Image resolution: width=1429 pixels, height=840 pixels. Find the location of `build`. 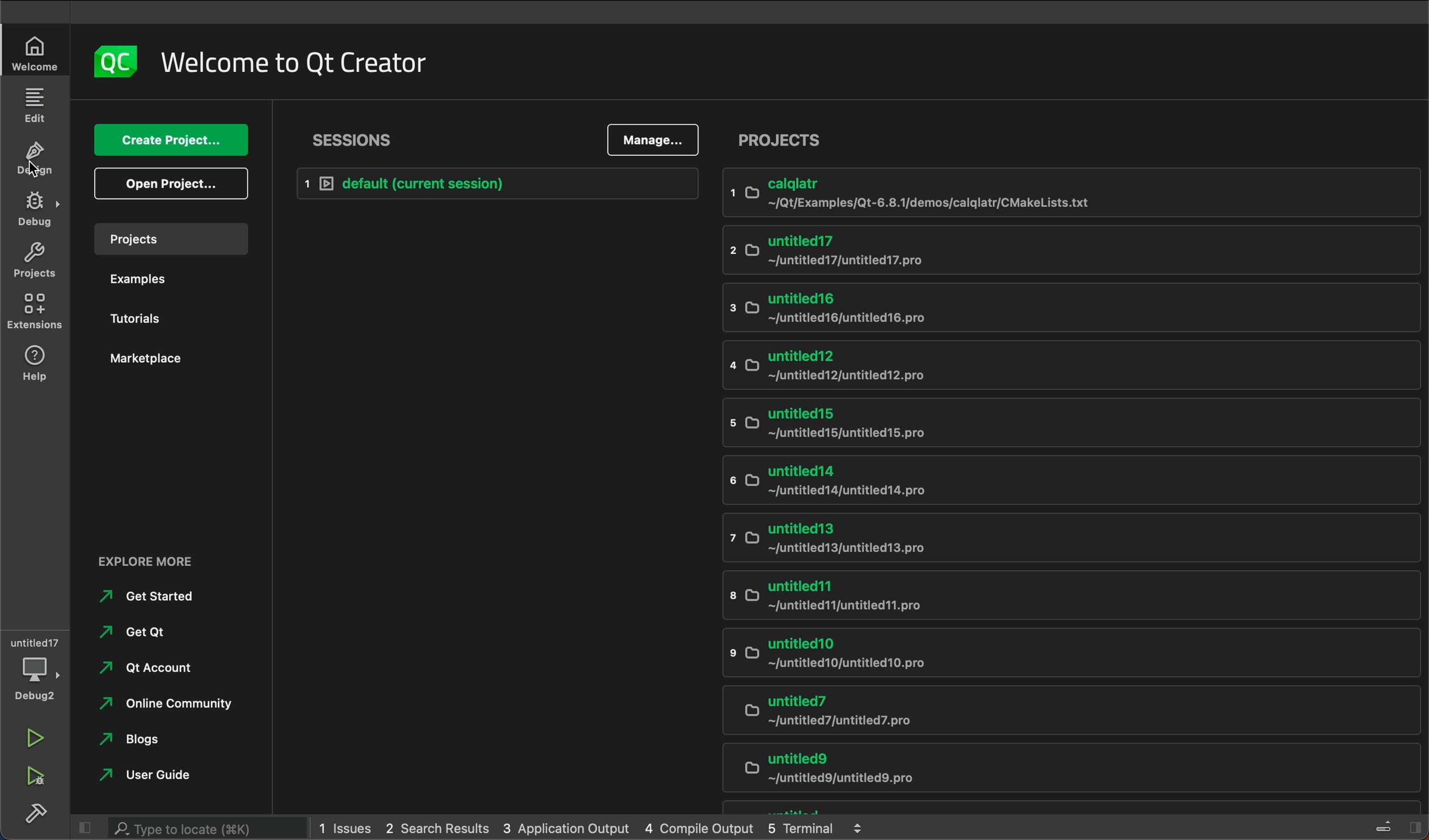

build is located at coordinates (35, 813).